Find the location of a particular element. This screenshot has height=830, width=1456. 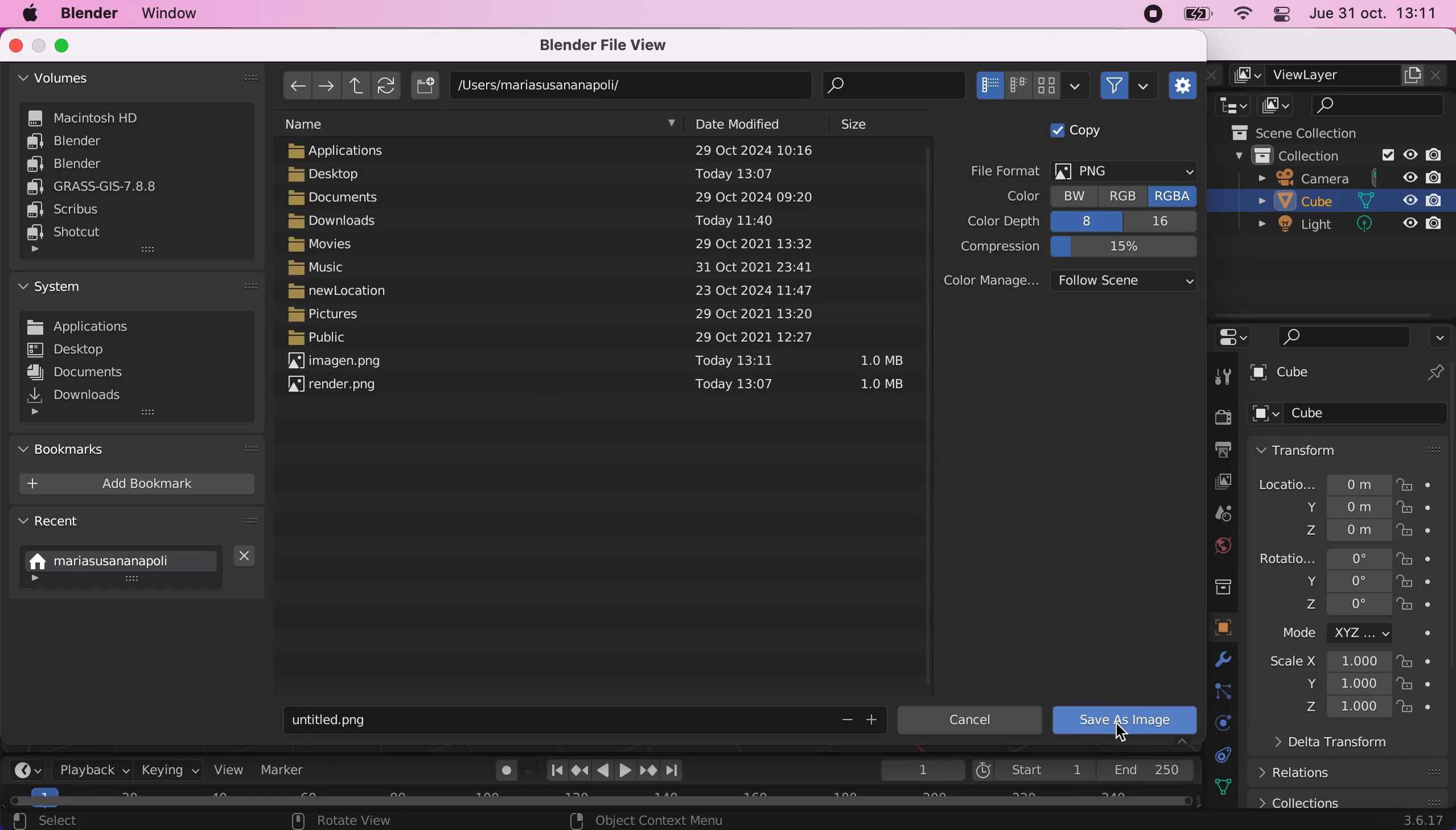

date modified is located at coordinates (751, 124).